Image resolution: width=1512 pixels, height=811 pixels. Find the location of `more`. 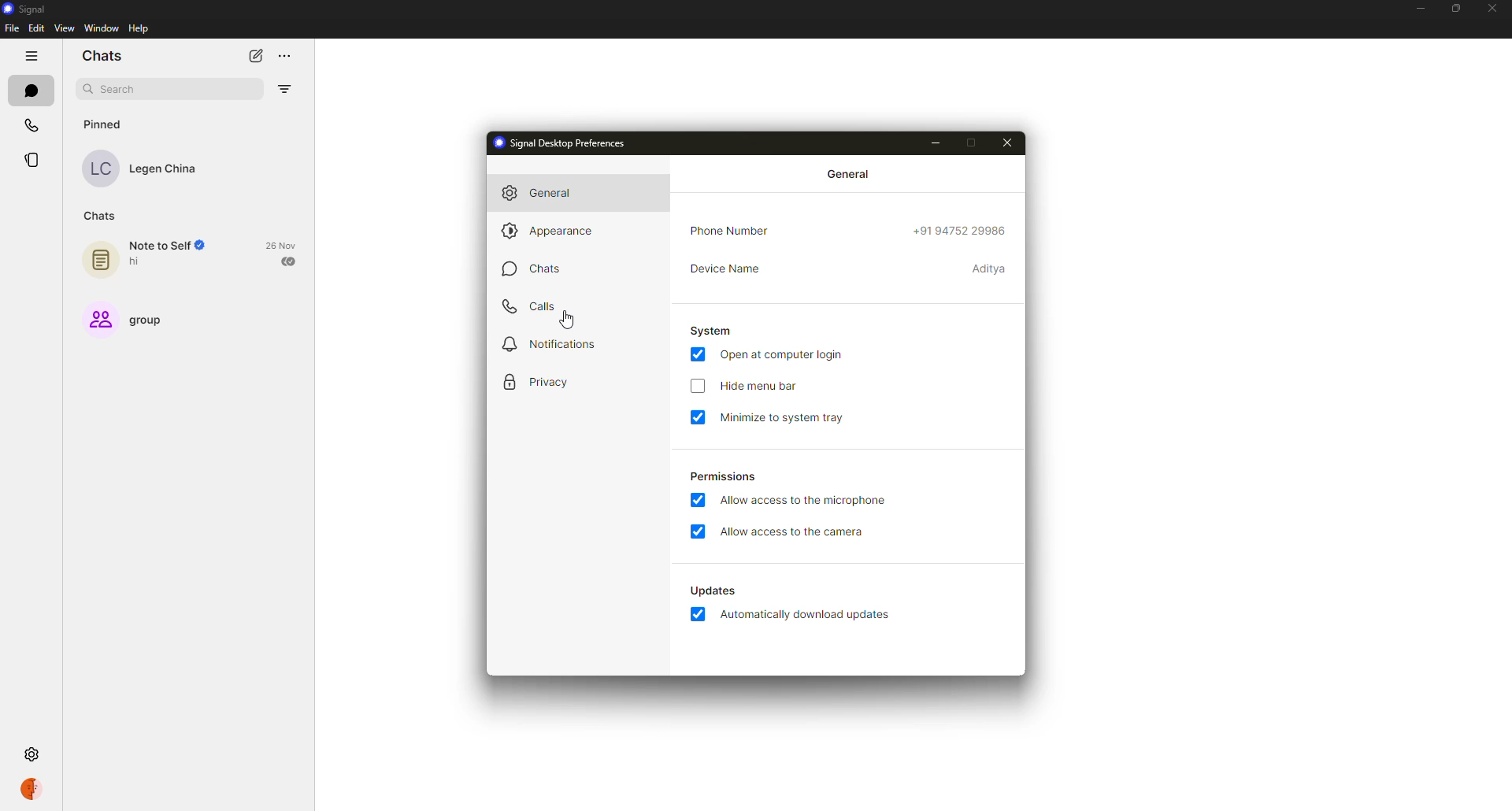

more is located at coordinates (294, 54).